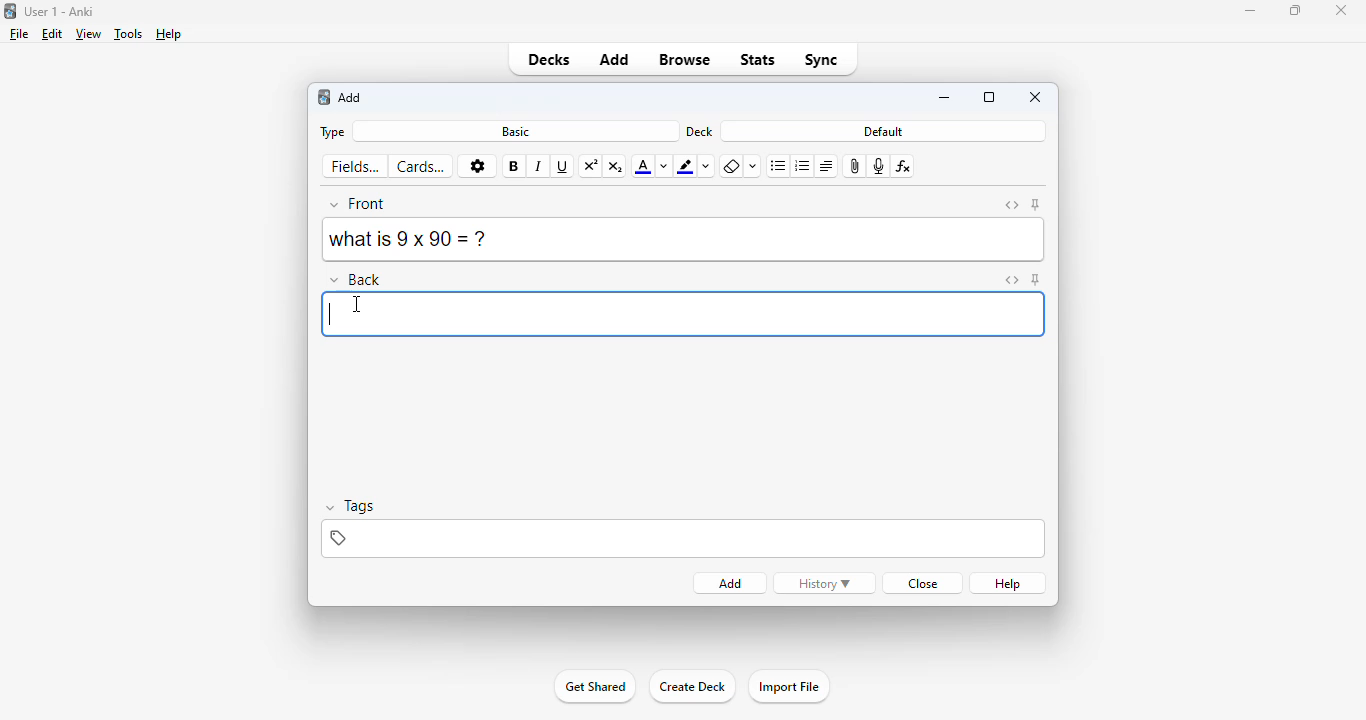  Describe the element at coordinates (989, 97) in the screenshot. I see `maximize` at that location.